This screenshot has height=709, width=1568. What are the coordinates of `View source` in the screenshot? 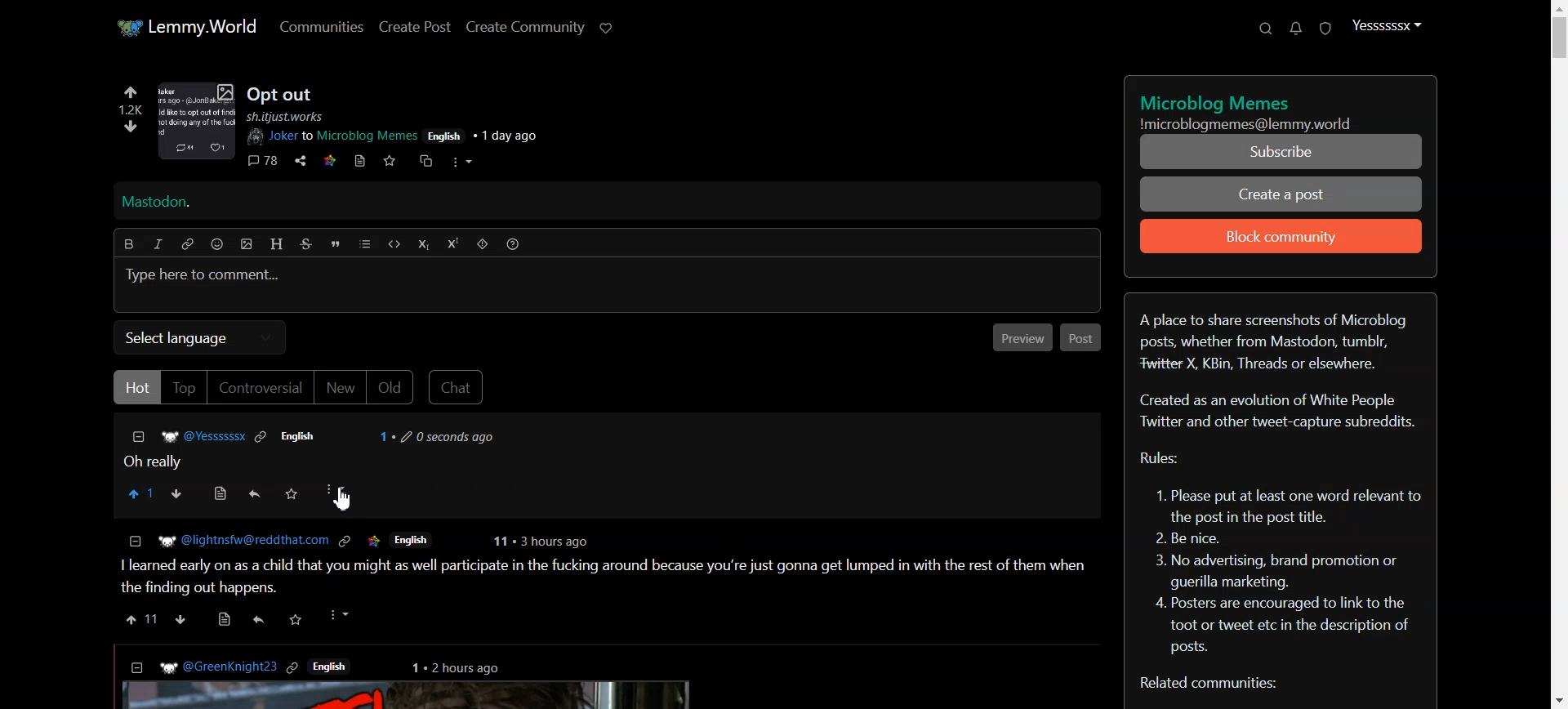 It's located at (221, 494).